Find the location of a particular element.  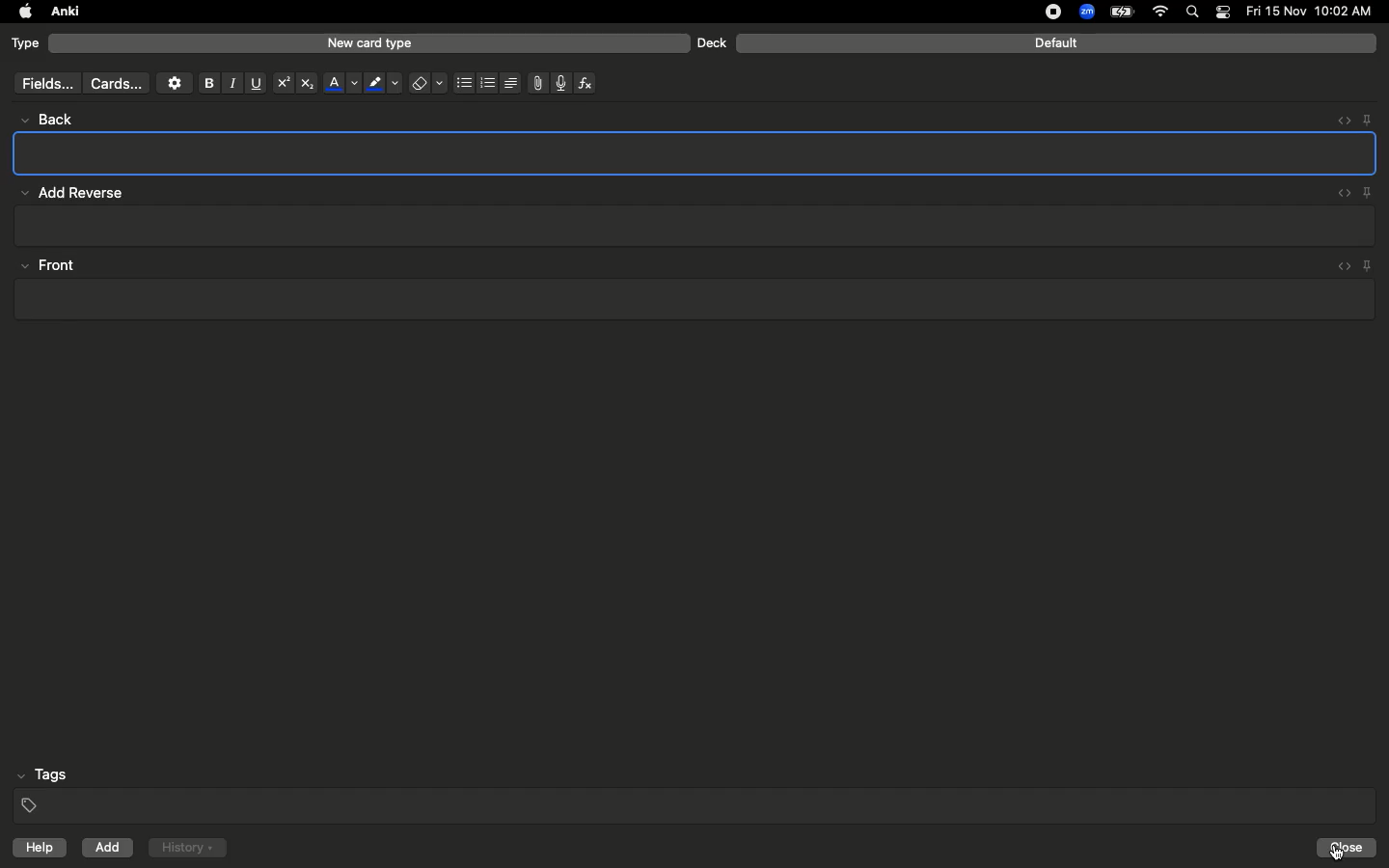

embed is located at coordinates (1340, 261).